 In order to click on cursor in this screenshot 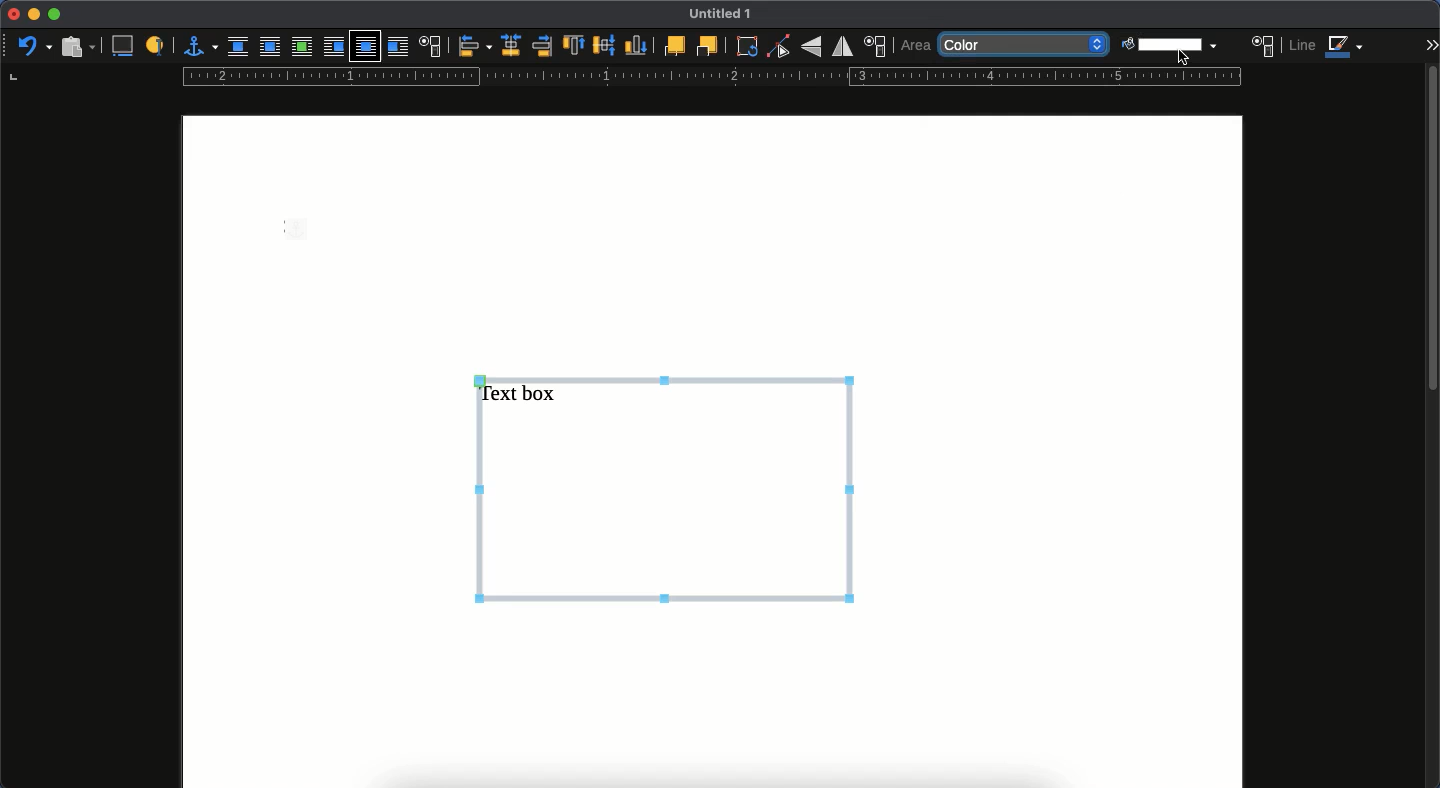, I will do `click(1184, 56)`.